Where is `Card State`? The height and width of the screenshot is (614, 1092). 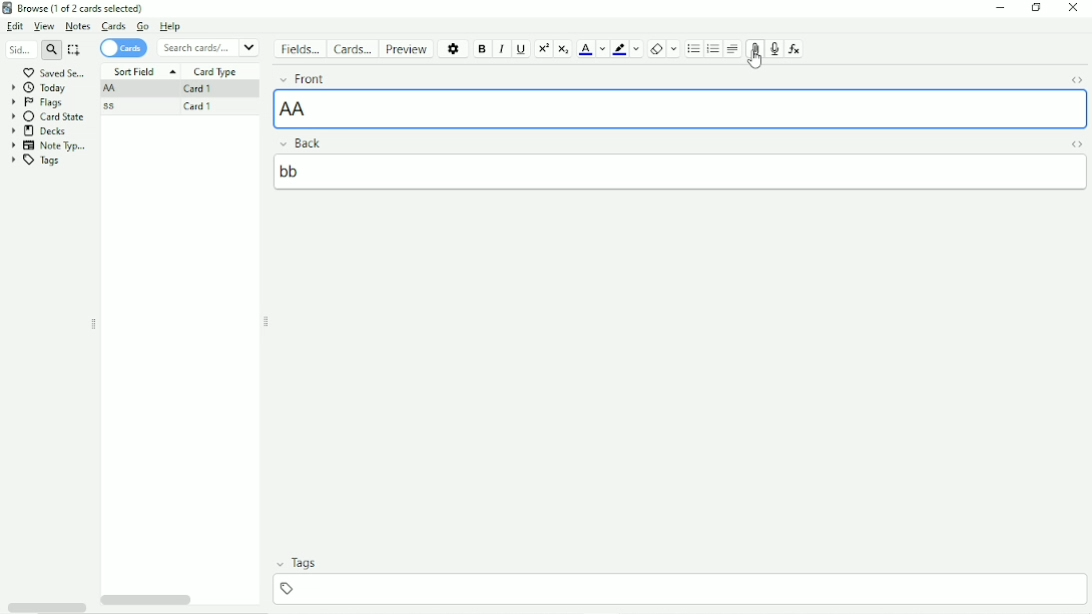 Card State is located at coordinates (48, 117).